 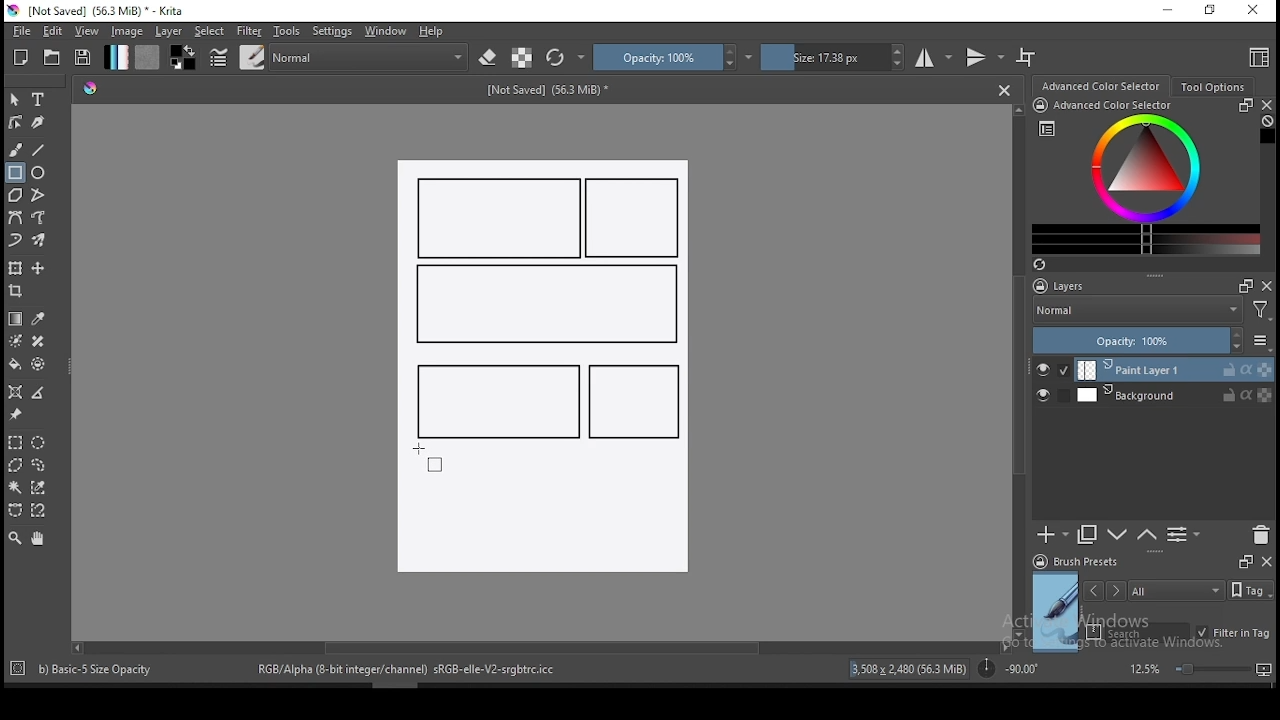 I want to click on move layer one step up, so click(x=1118, y=537).